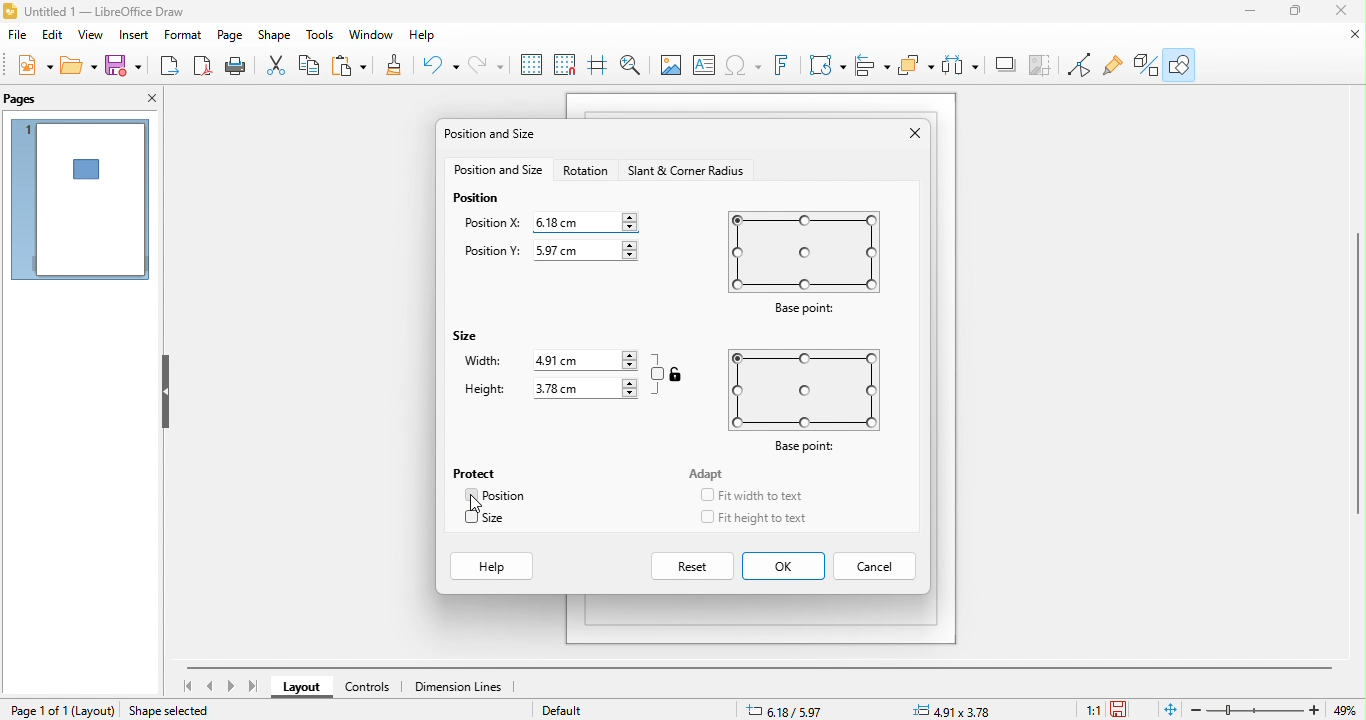 The height and width of the screenshot is (720, 1366). I want to click on rotation, so click(588, 172).